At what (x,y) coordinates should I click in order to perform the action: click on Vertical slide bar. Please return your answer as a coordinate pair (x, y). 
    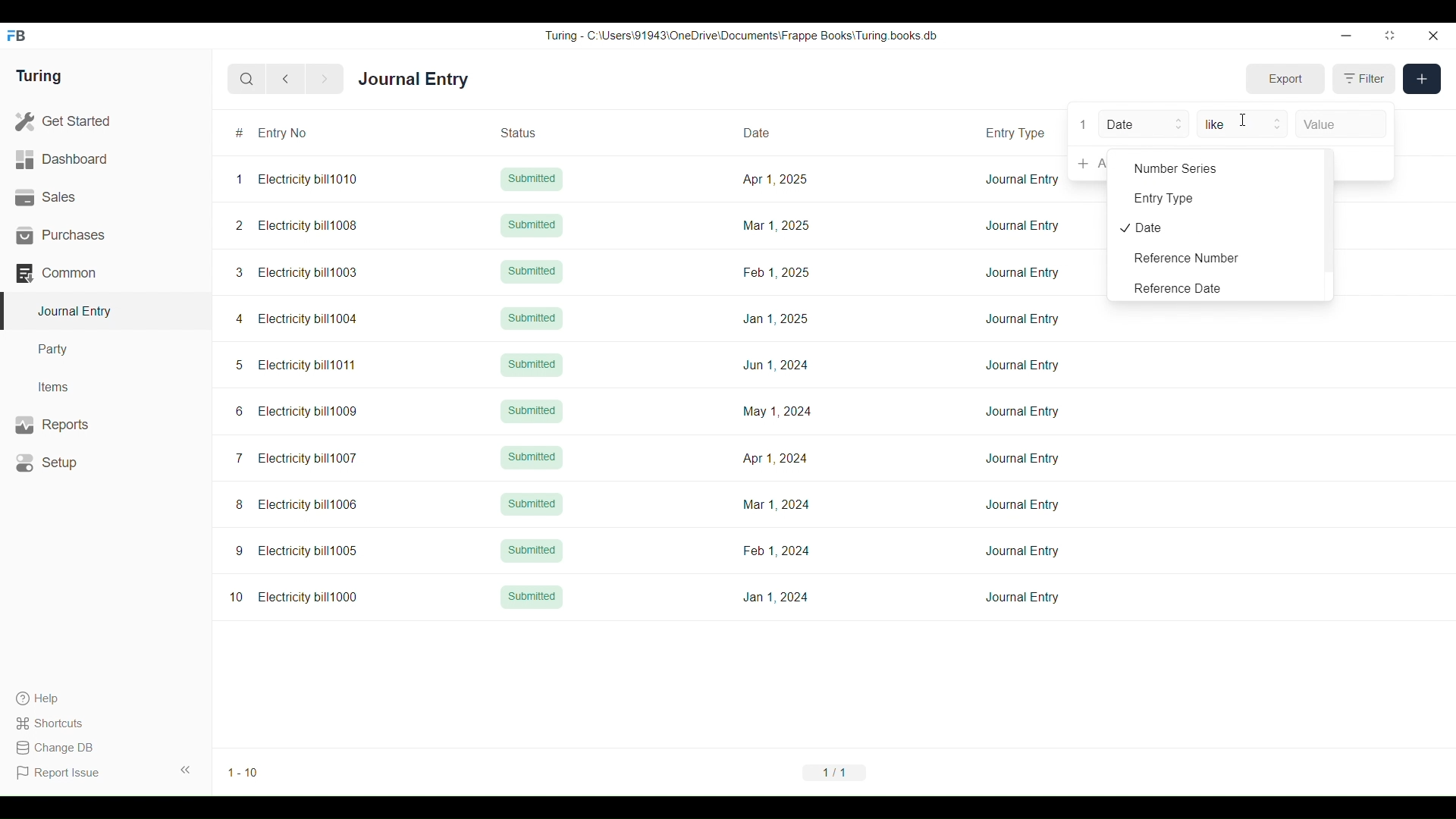
    Looking at the image, I should click on (1329, 224).